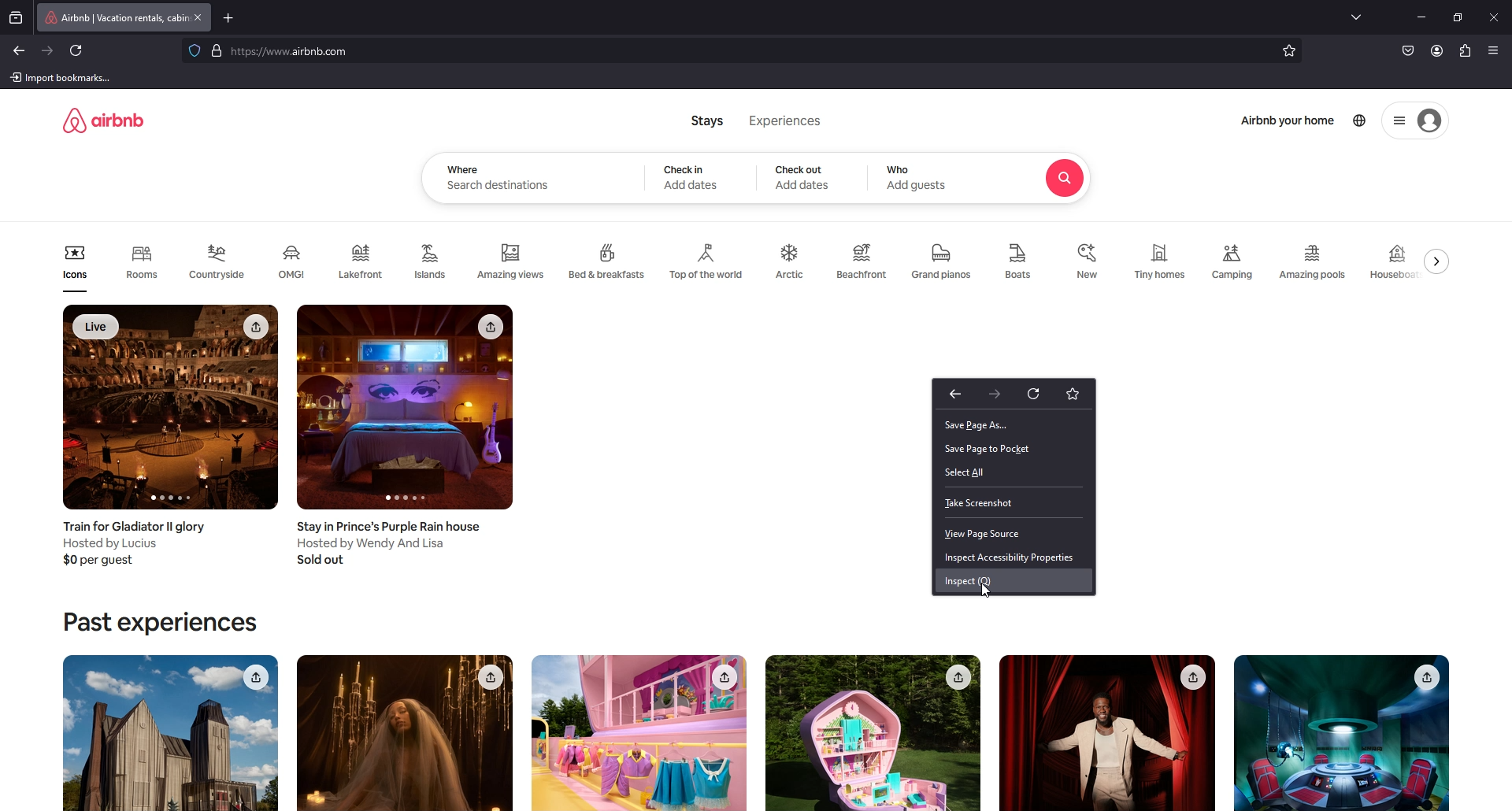  I want to click on favourites, so click(1072, 394).